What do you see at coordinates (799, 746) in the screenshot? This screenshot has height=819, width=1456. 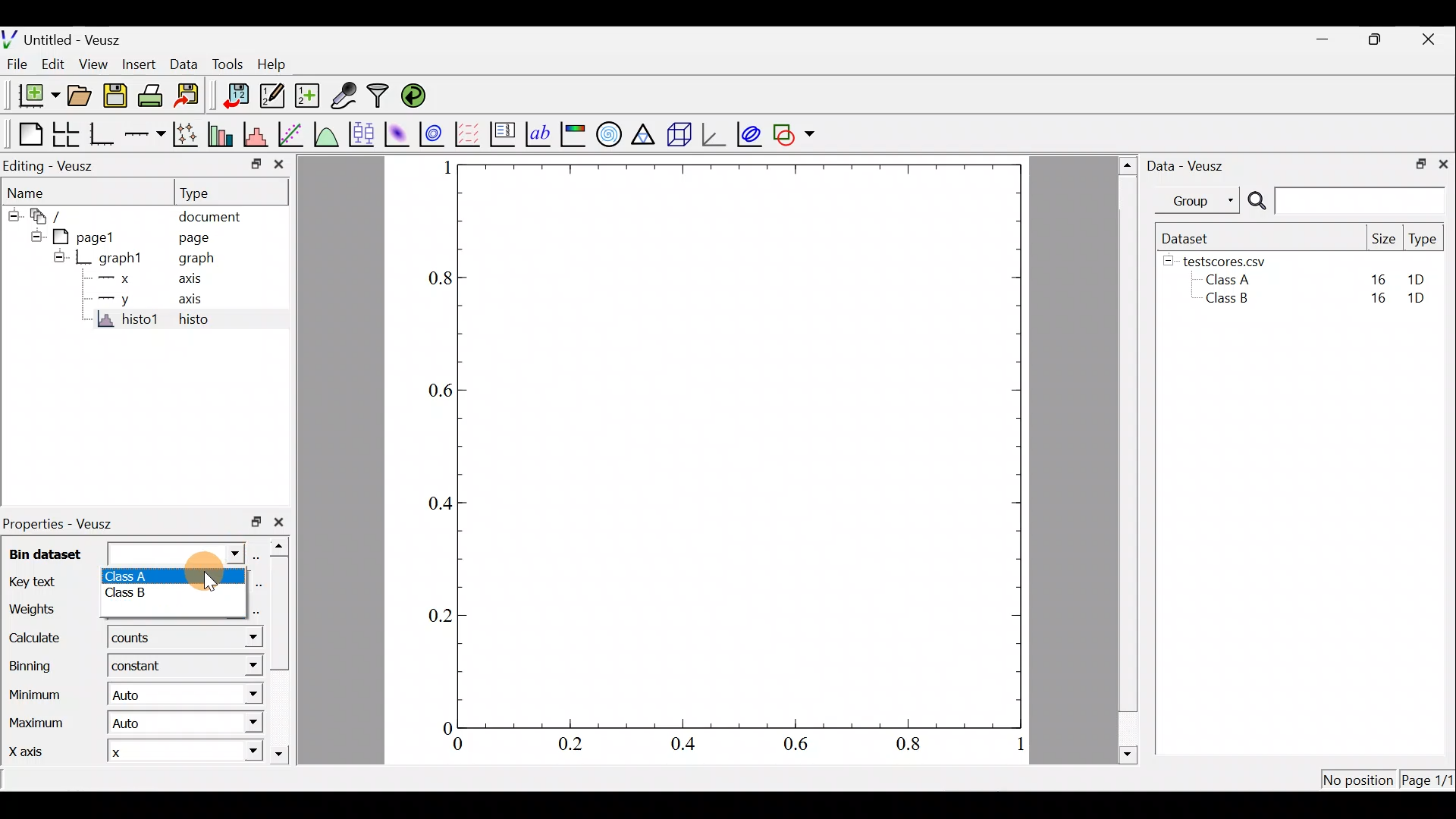 I see `0.6` at bounding box center [799, 746].